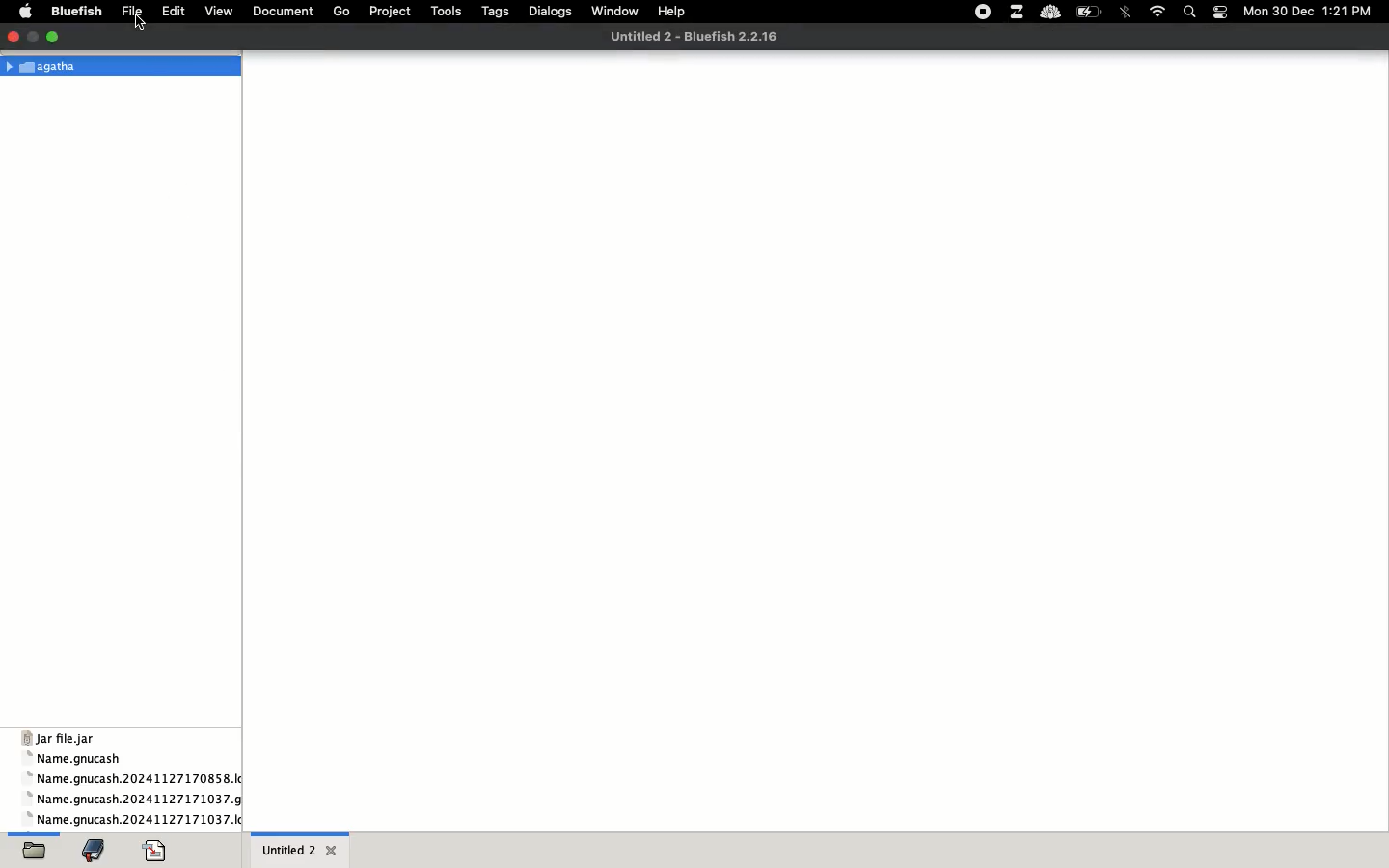 The image size is (1389, 868). I want to click on bluetooth, so click(1127, 12).